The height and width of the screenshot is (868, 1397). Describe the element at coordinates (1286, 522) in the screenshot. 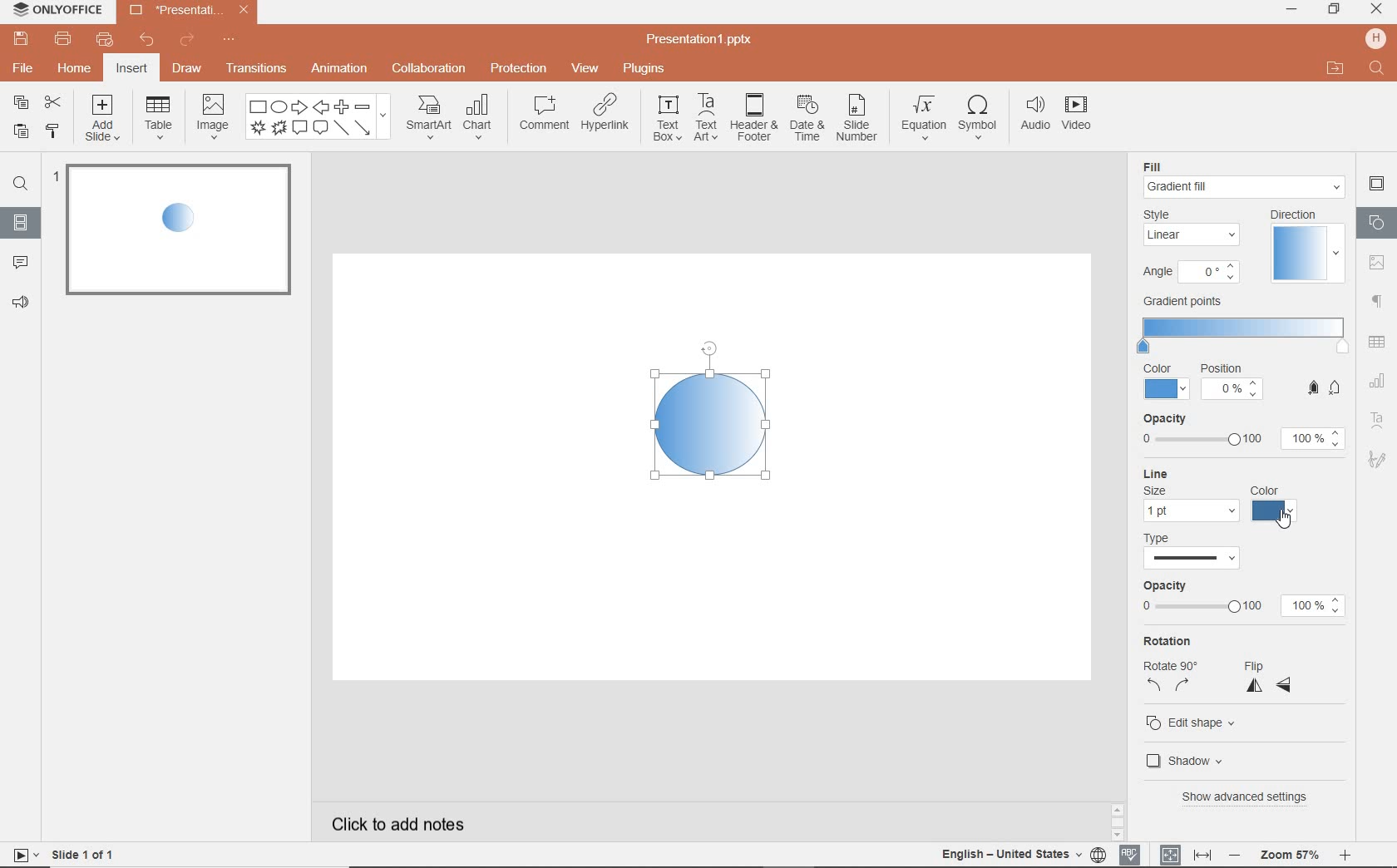

I see `mouse pointer` at that location.